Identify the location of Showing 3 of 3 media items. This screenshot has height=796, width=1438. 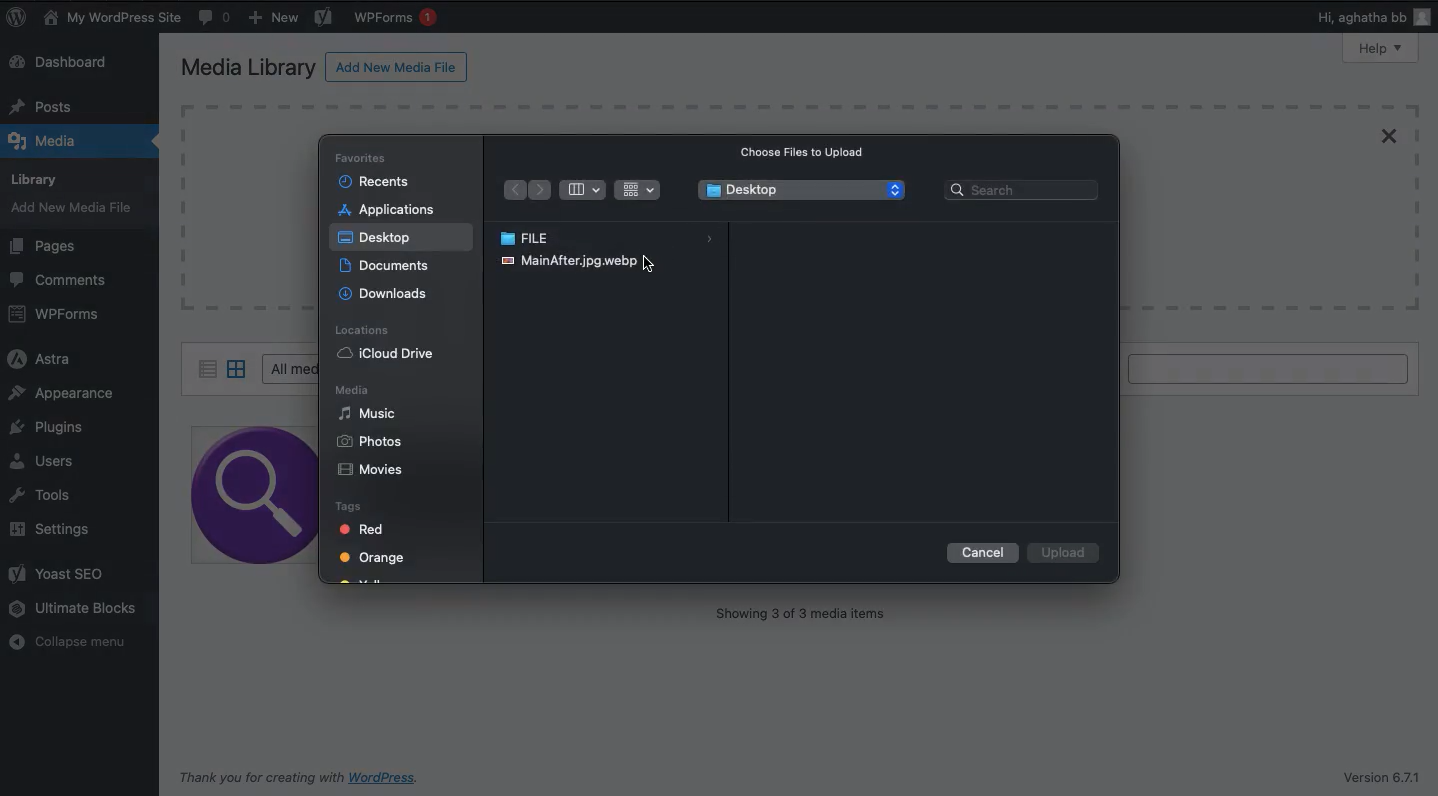
(800, 614).